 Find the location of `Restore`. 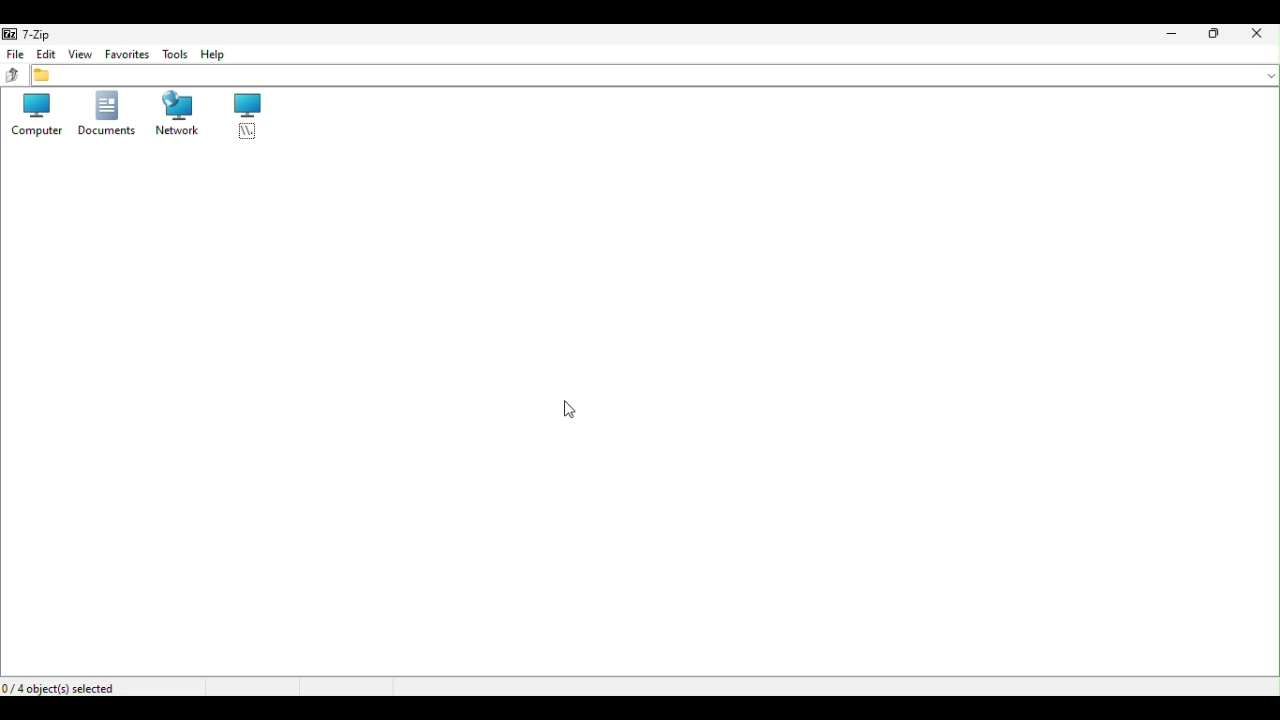

Restore is located at coordinates (1216, 36).